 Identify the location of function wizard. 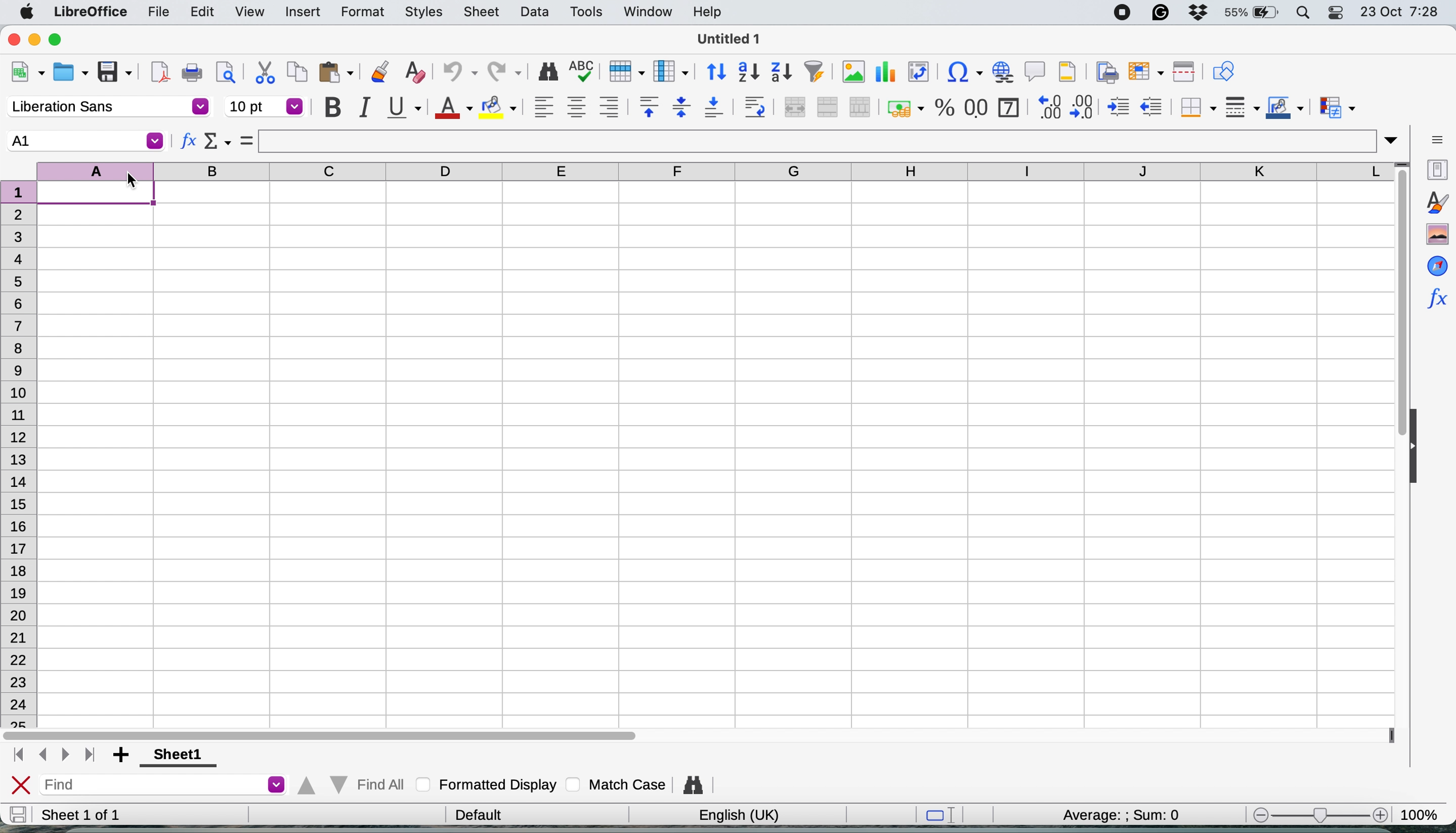
(186, 140).